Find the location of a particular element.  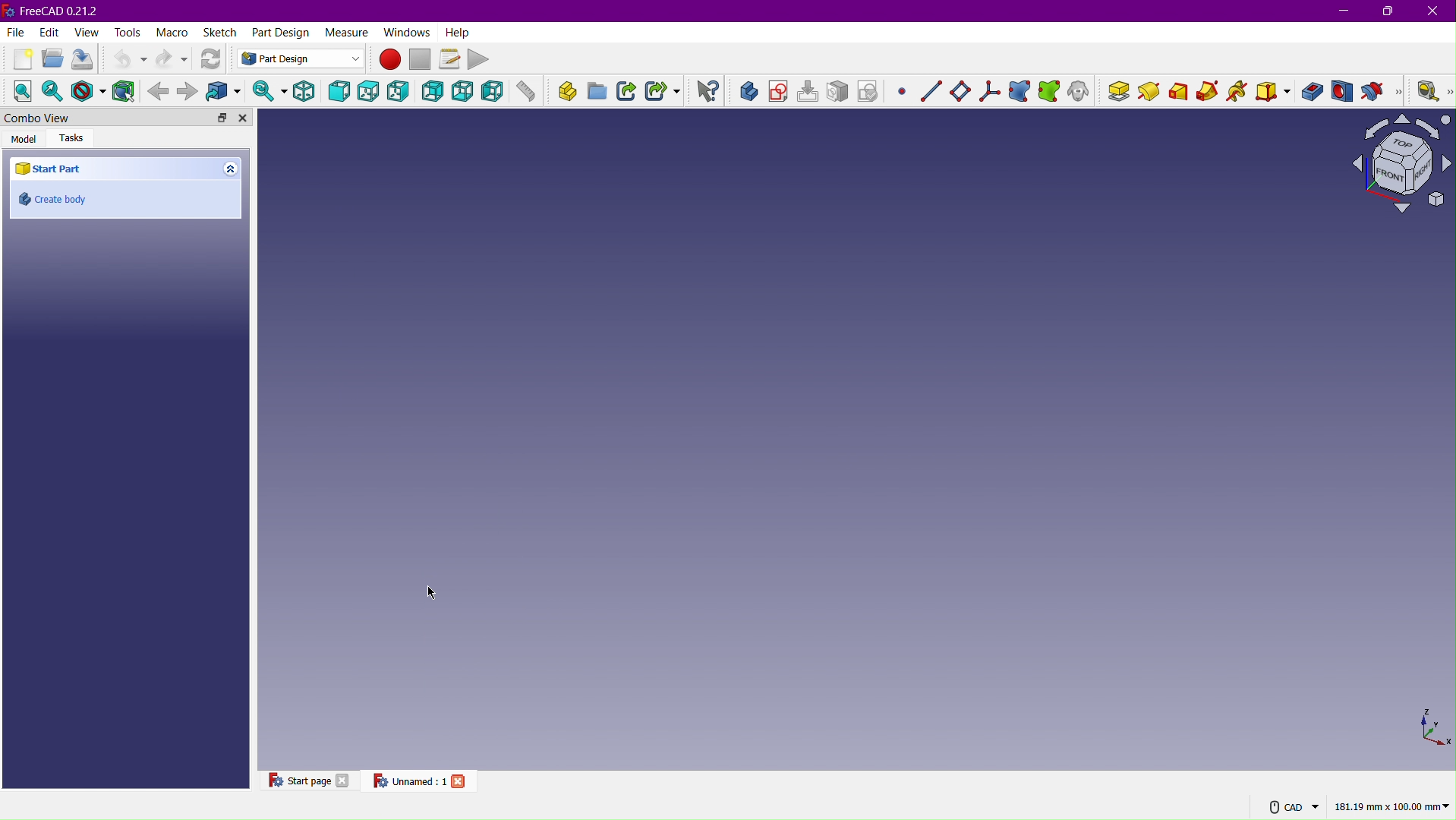

Go to linked object is located at coordinates (223, 92).